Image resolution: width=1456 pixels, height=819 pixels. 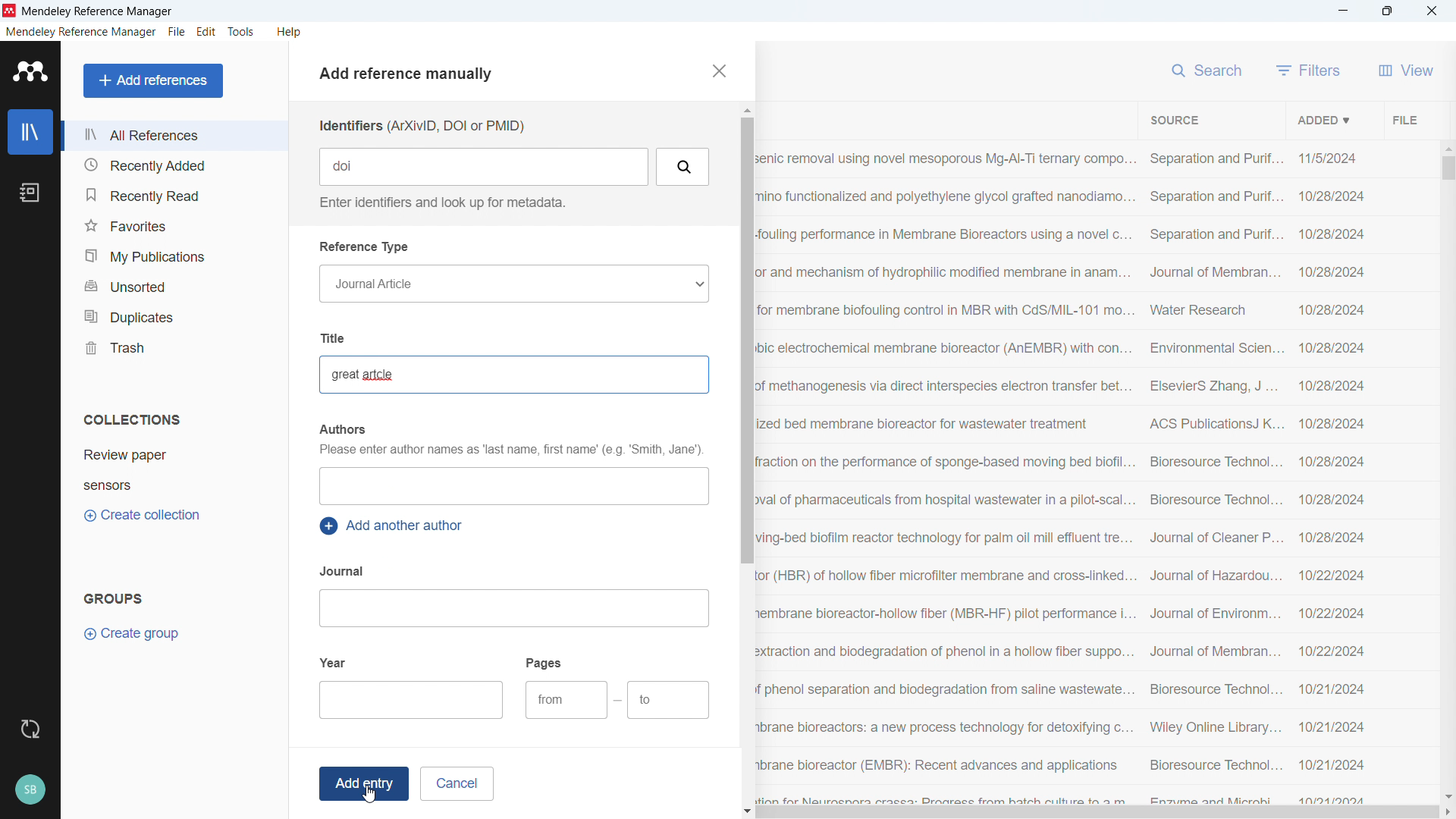 I want to click on Add another author , so click(x=394, y=526).